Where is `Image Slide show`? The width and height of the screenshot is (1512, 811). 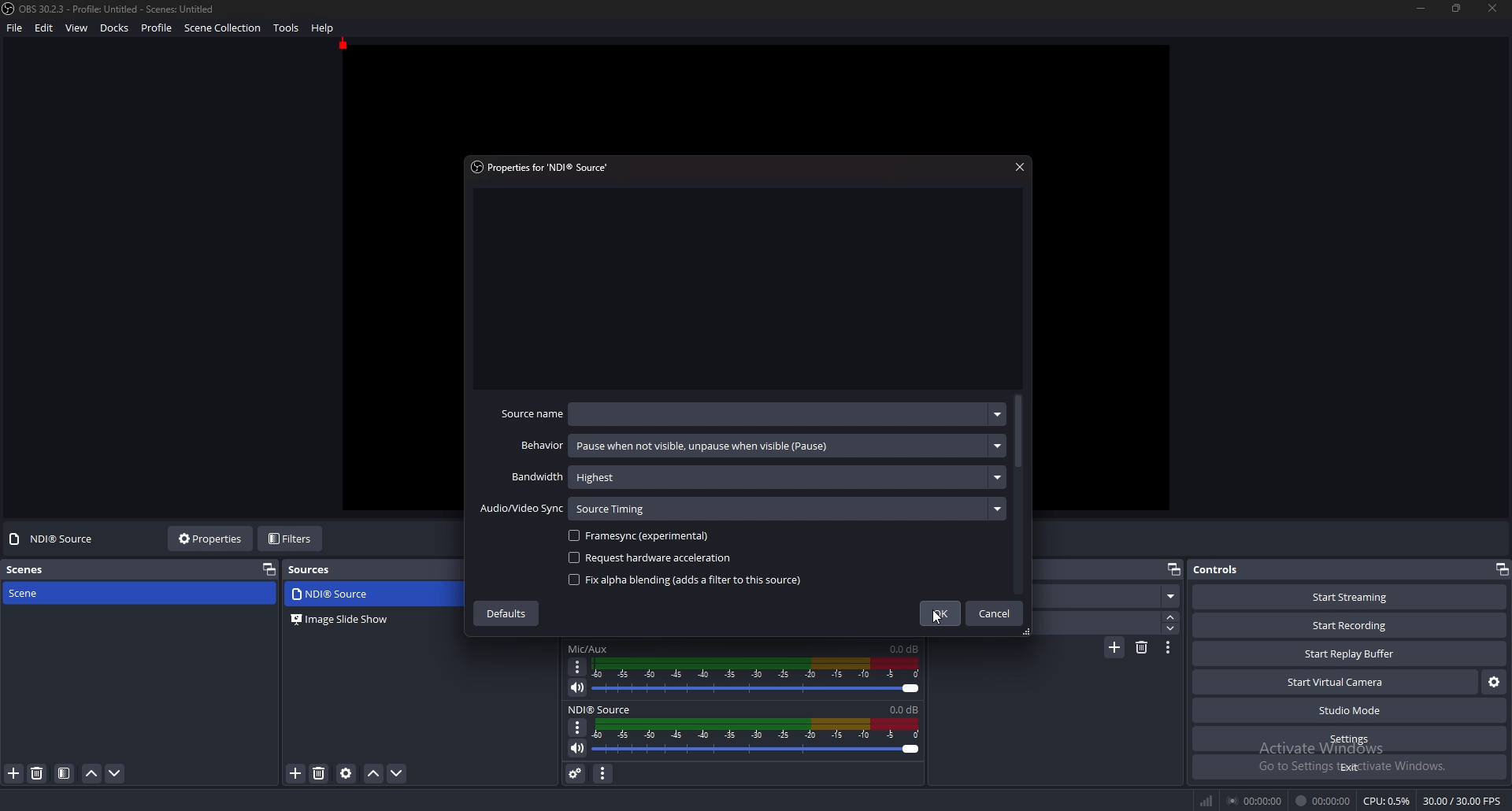
Image Slide show is located at coordinates (339, 620).